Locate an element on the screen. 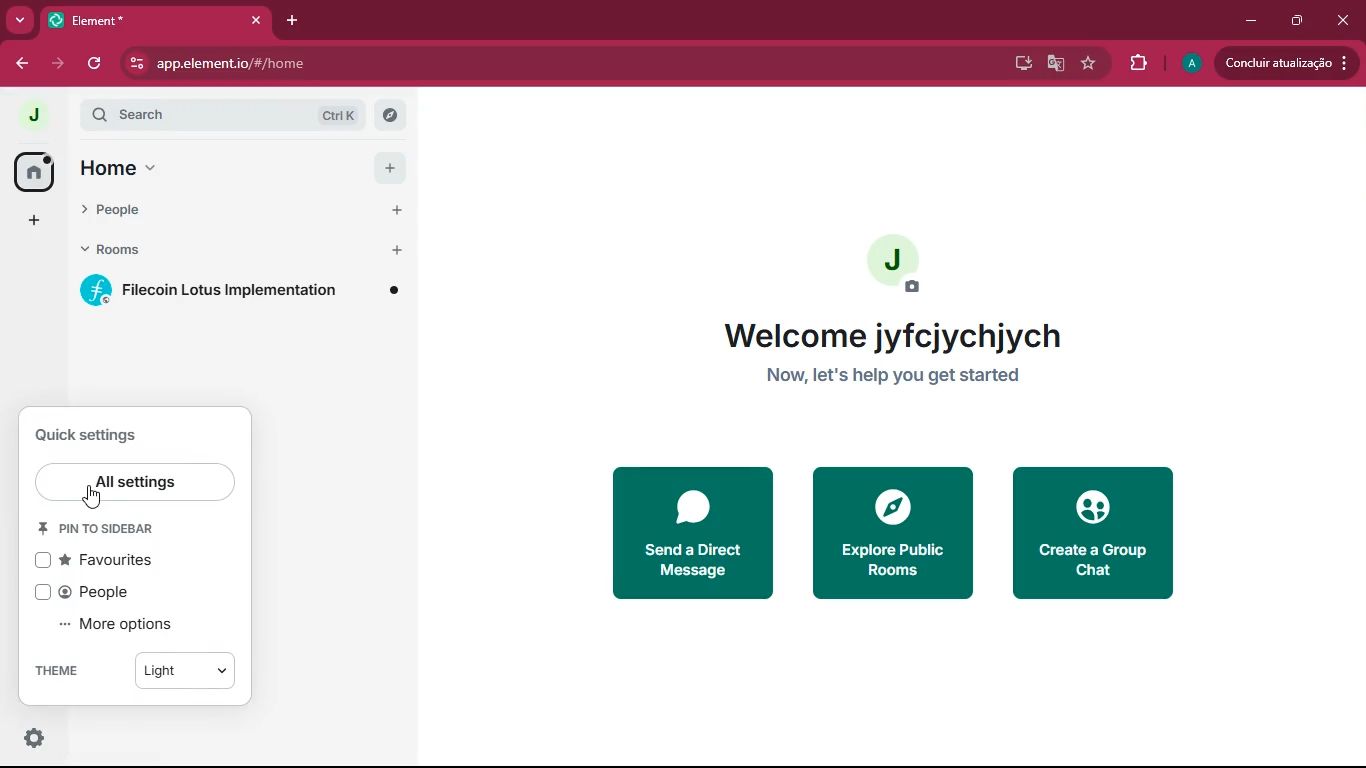  people is located at coordinates (146, 210).